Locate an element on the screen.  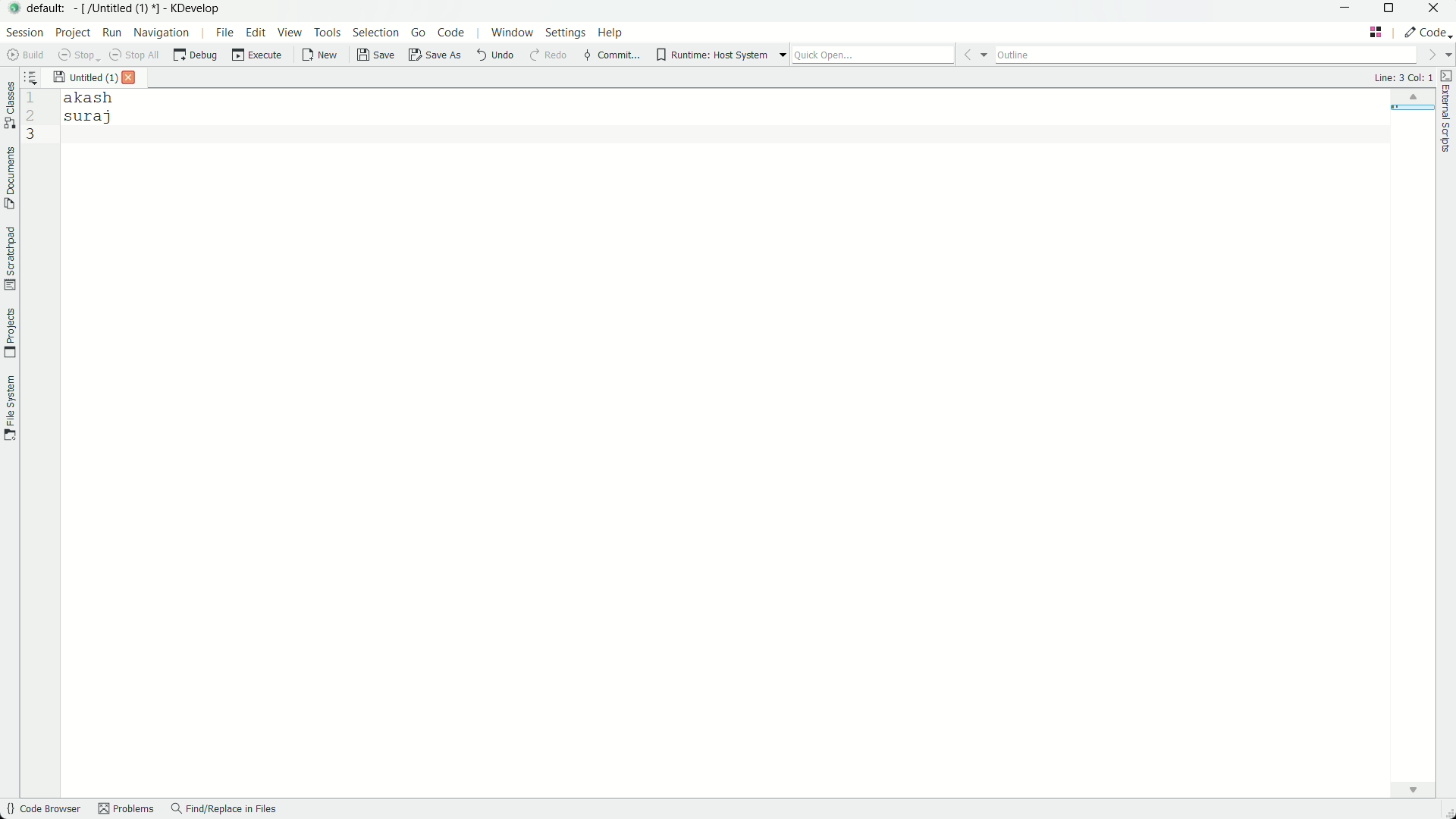
outline is located at coordinates (1223, 54).